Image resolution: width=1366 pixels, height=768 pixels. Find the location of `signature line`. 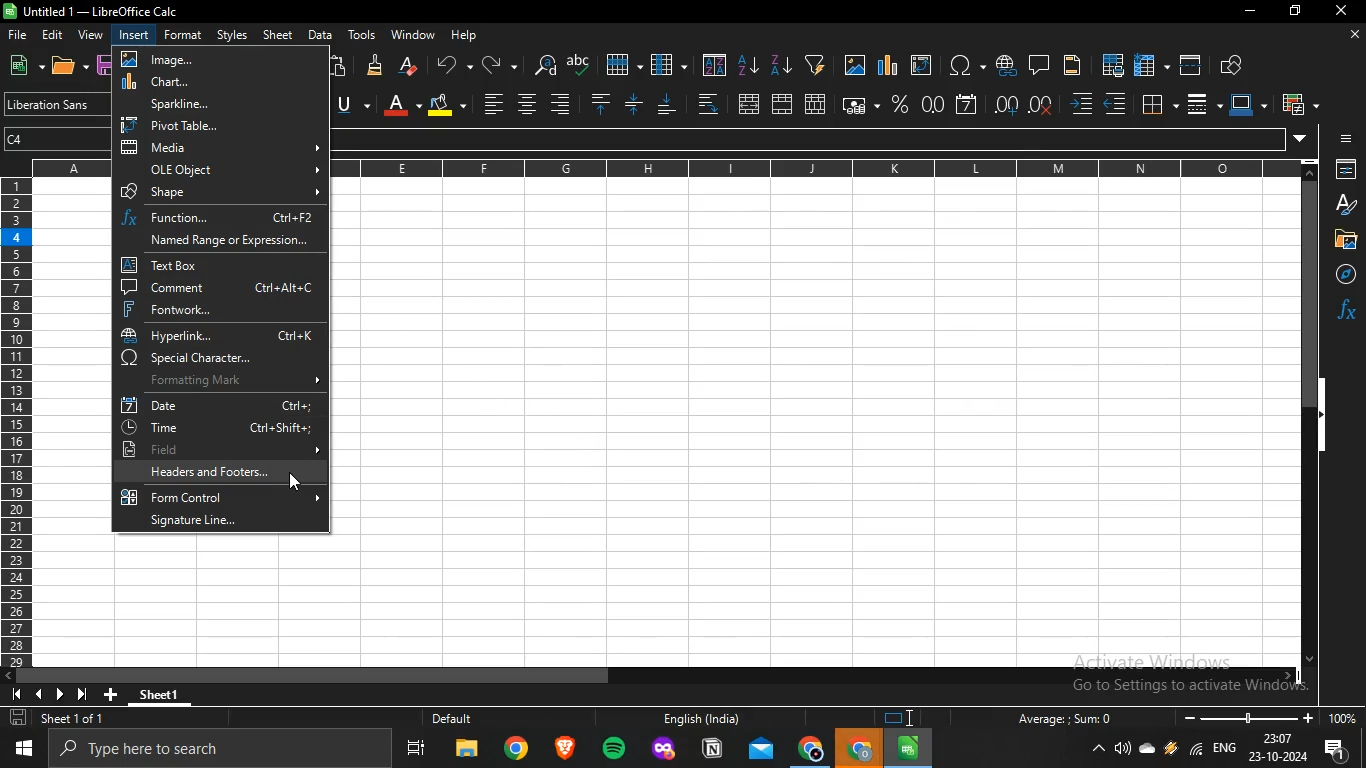

signature line is located at coordinates (217, 521).